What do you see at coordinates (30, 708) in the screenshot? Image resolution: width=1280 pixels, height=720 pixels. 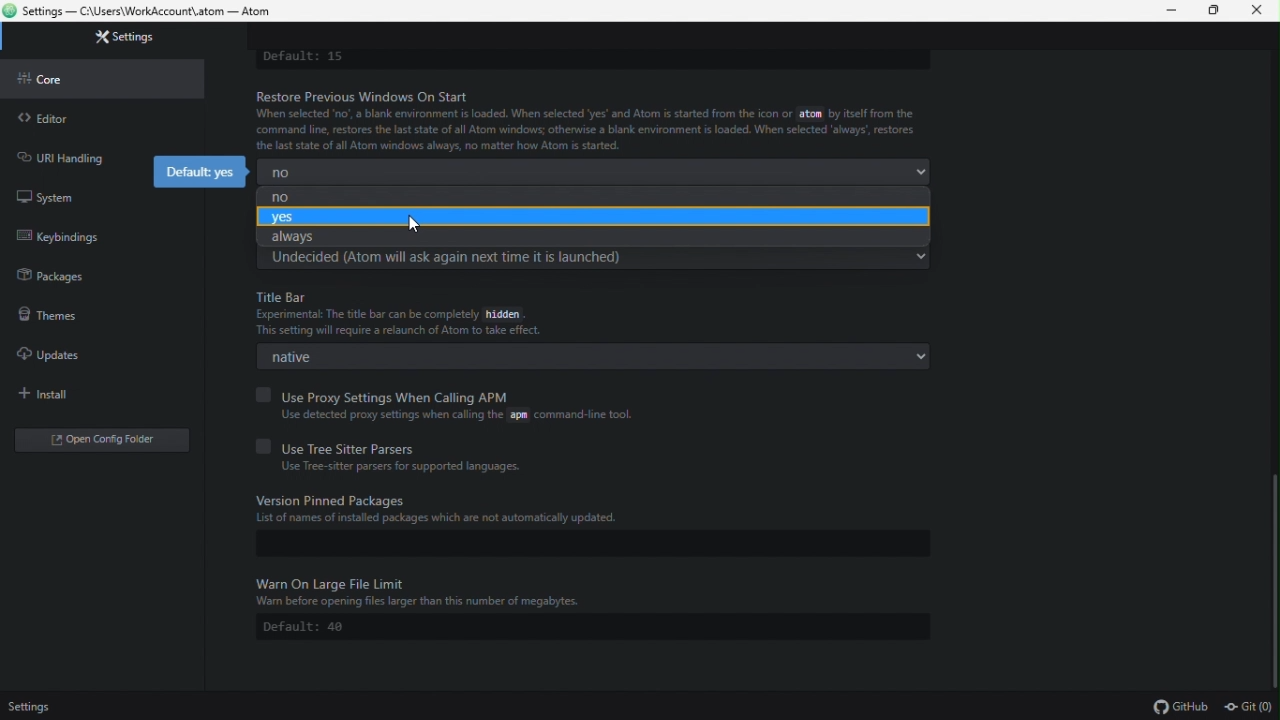 I see `settings` at bounding box center [30, 708].